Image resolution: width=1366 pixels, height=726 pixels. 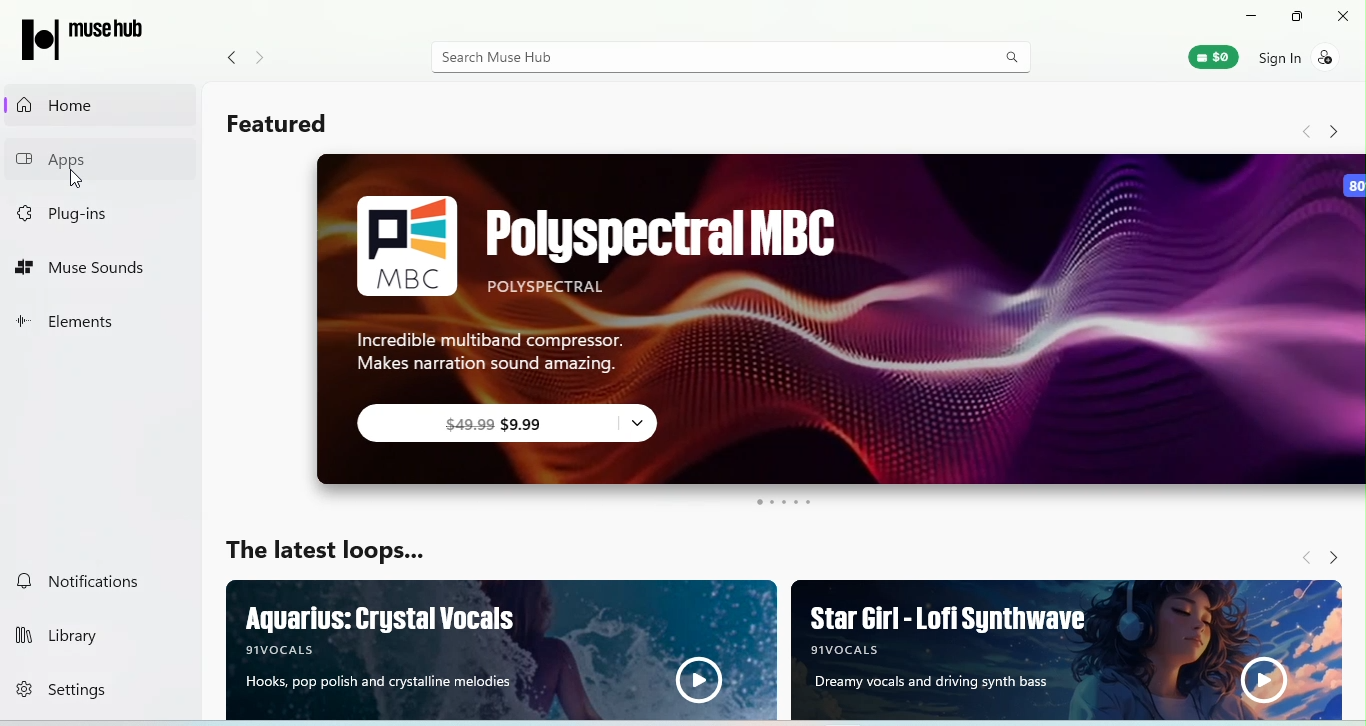 What do you see at coordinates (1344, 554) in the screenshot?
I see `Navigate Forward` at bounding box center [1344, 554].